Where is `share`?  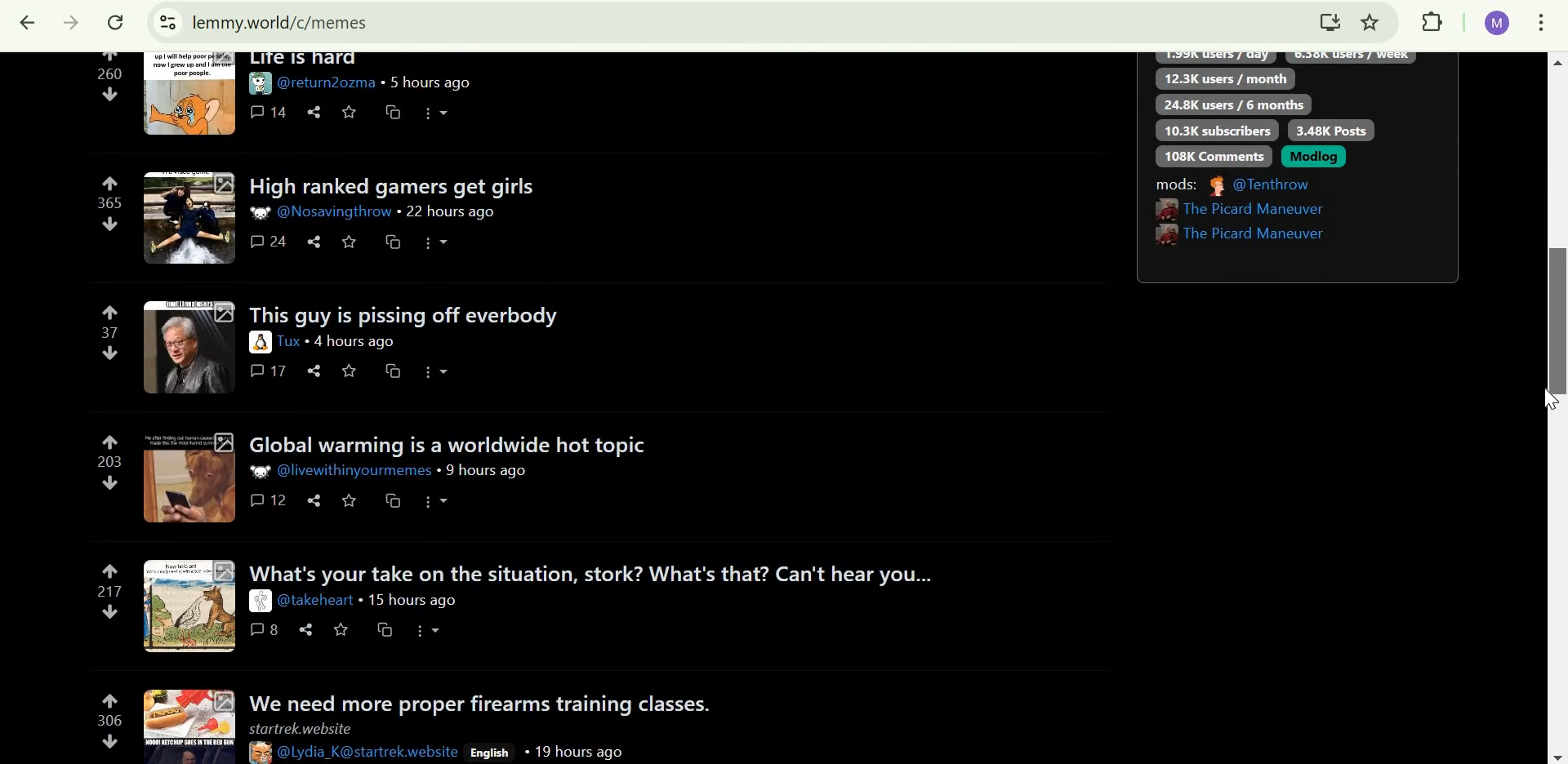 share is located at coordinates (318, 241).